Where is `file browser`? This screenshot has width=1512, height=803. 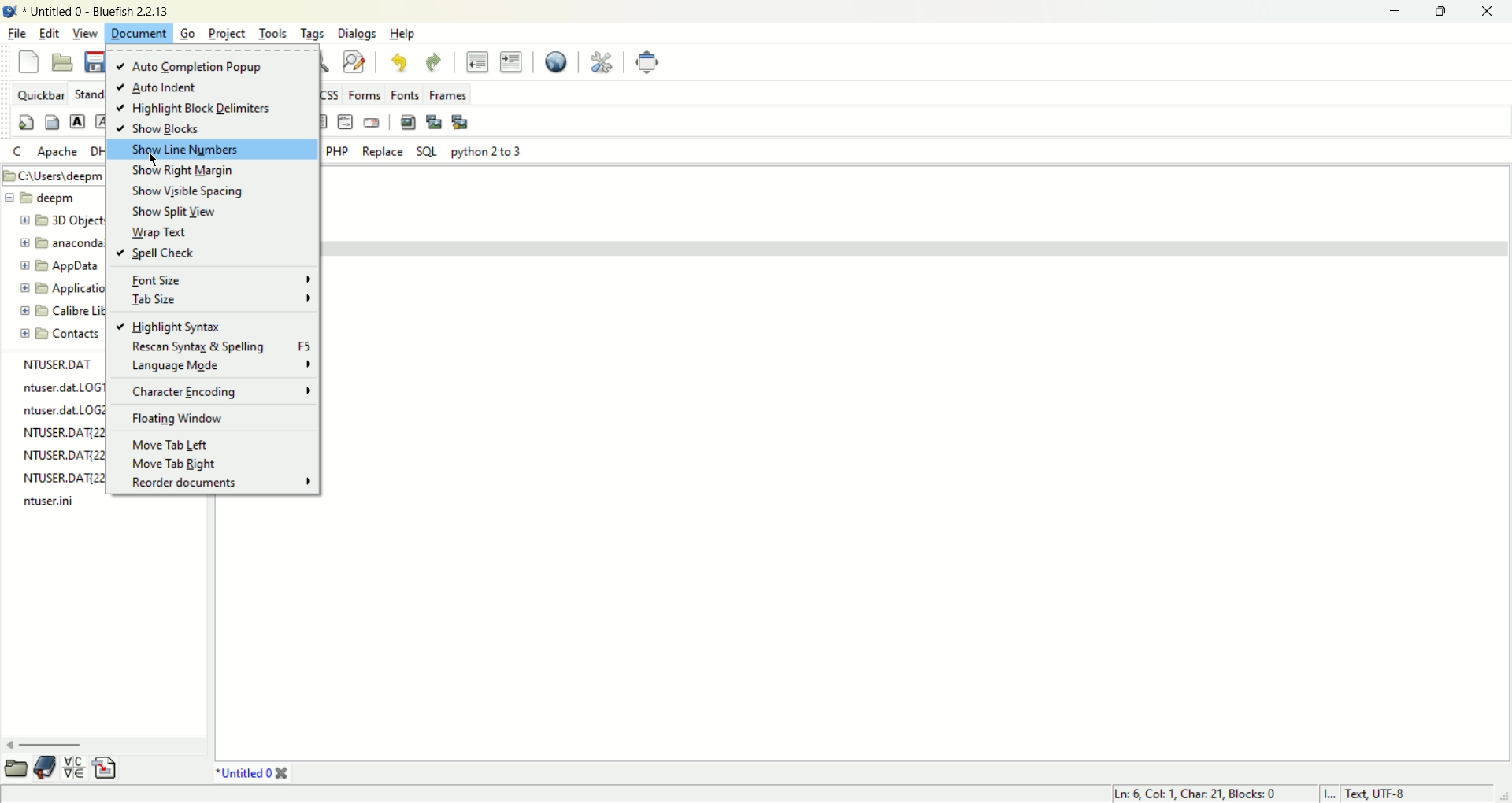
file browser is located at coordinates (13, 772).